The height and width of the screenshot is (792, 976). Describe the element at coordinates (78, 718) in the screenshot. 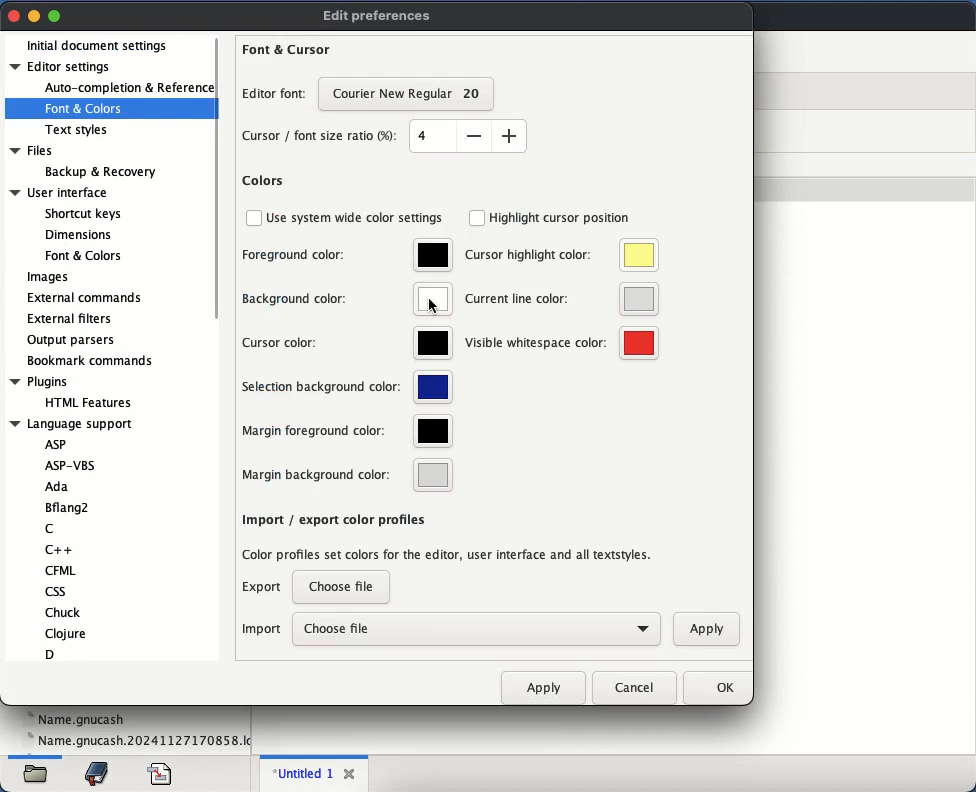

I see `name.gnucash` at that location.